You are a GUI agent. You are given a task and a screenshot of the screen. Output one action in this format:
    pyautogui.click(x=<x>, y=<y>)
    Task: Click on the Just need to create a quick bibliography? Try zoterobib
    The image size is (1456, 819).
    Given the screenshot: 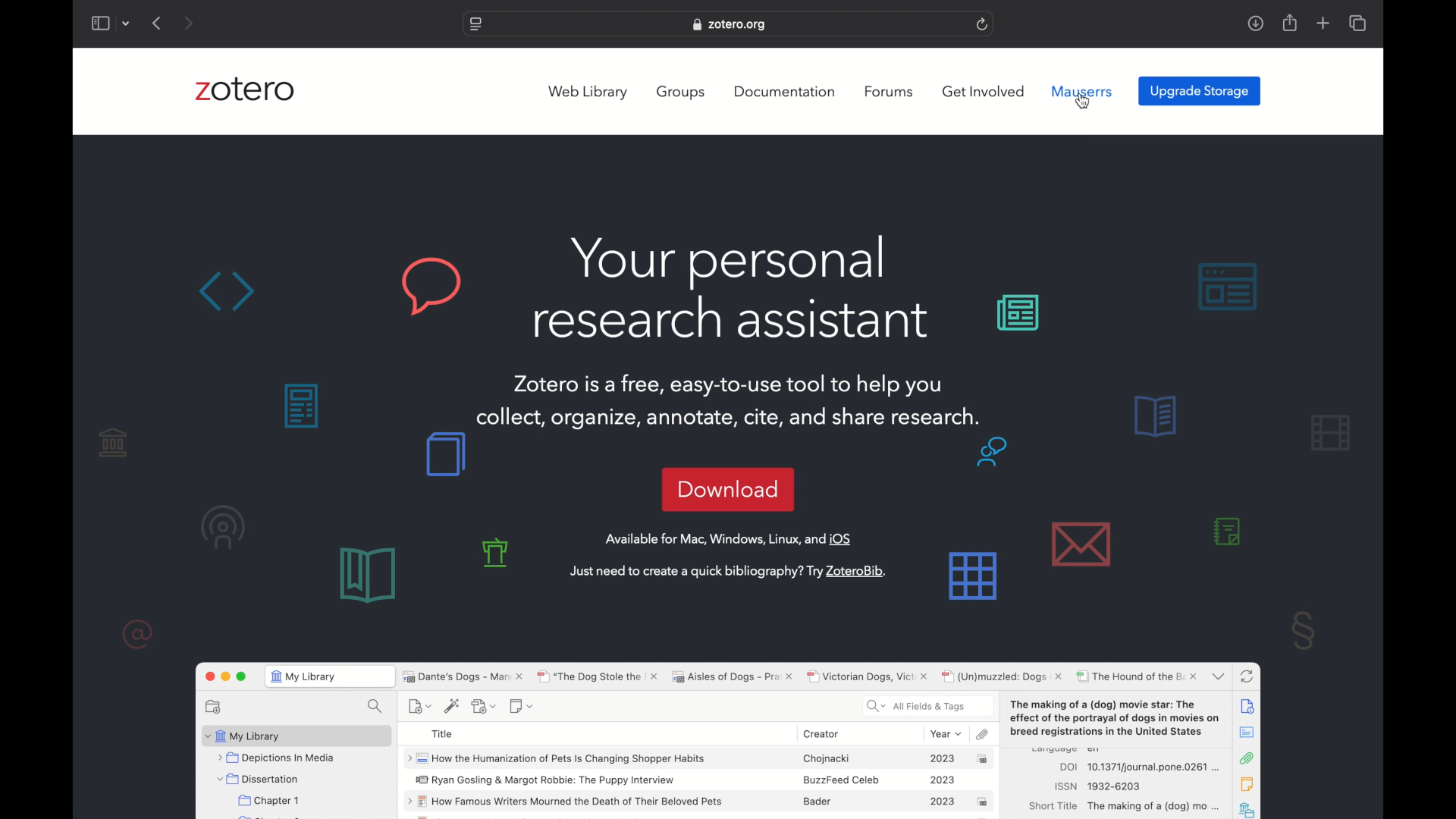 What is the action you would take?
    pyautogui.click(x=731, y=572)
    